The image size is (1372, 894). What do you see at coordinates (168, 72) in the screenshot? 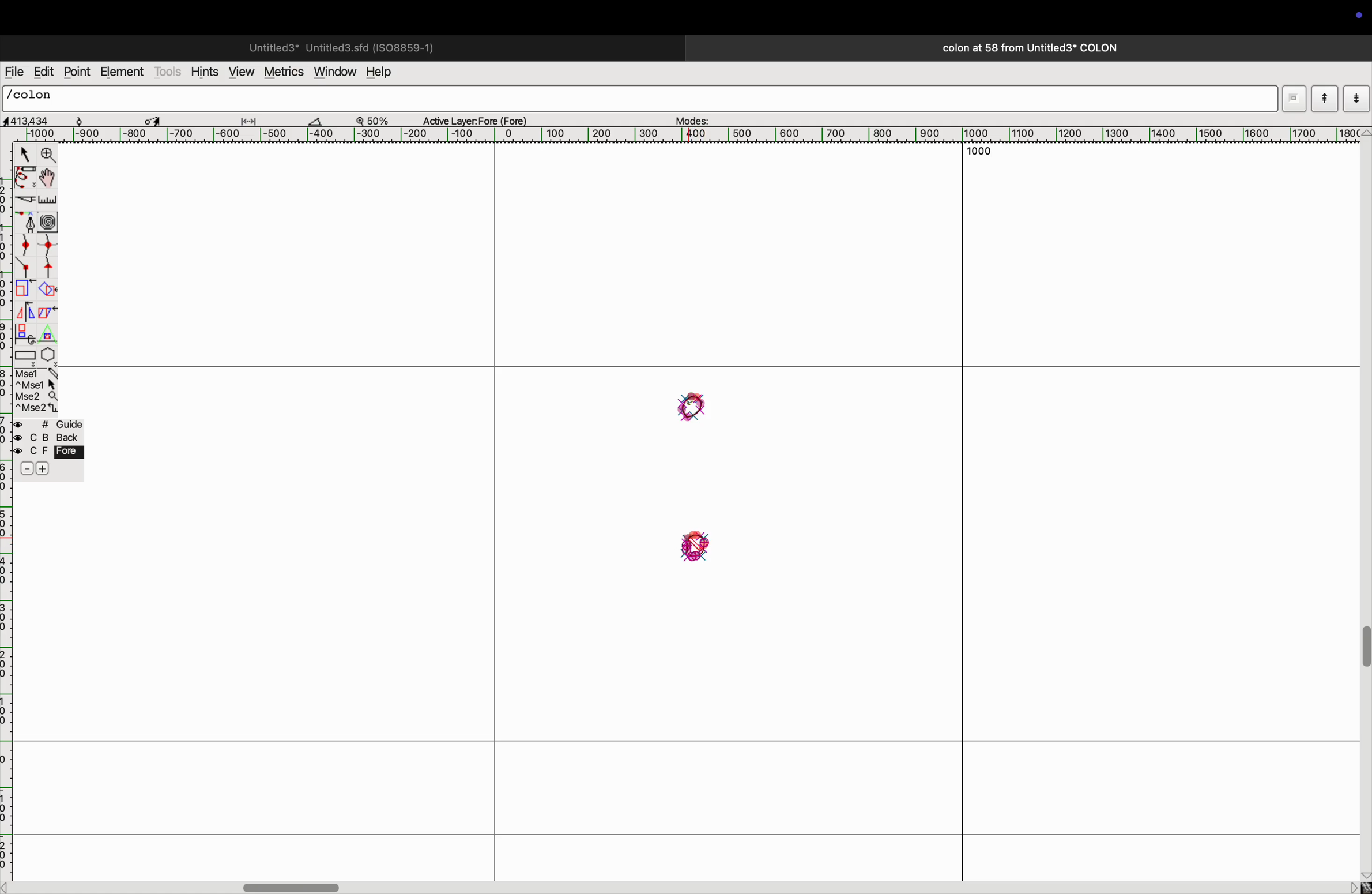
I see `tools` at bounding box center [168, 72].